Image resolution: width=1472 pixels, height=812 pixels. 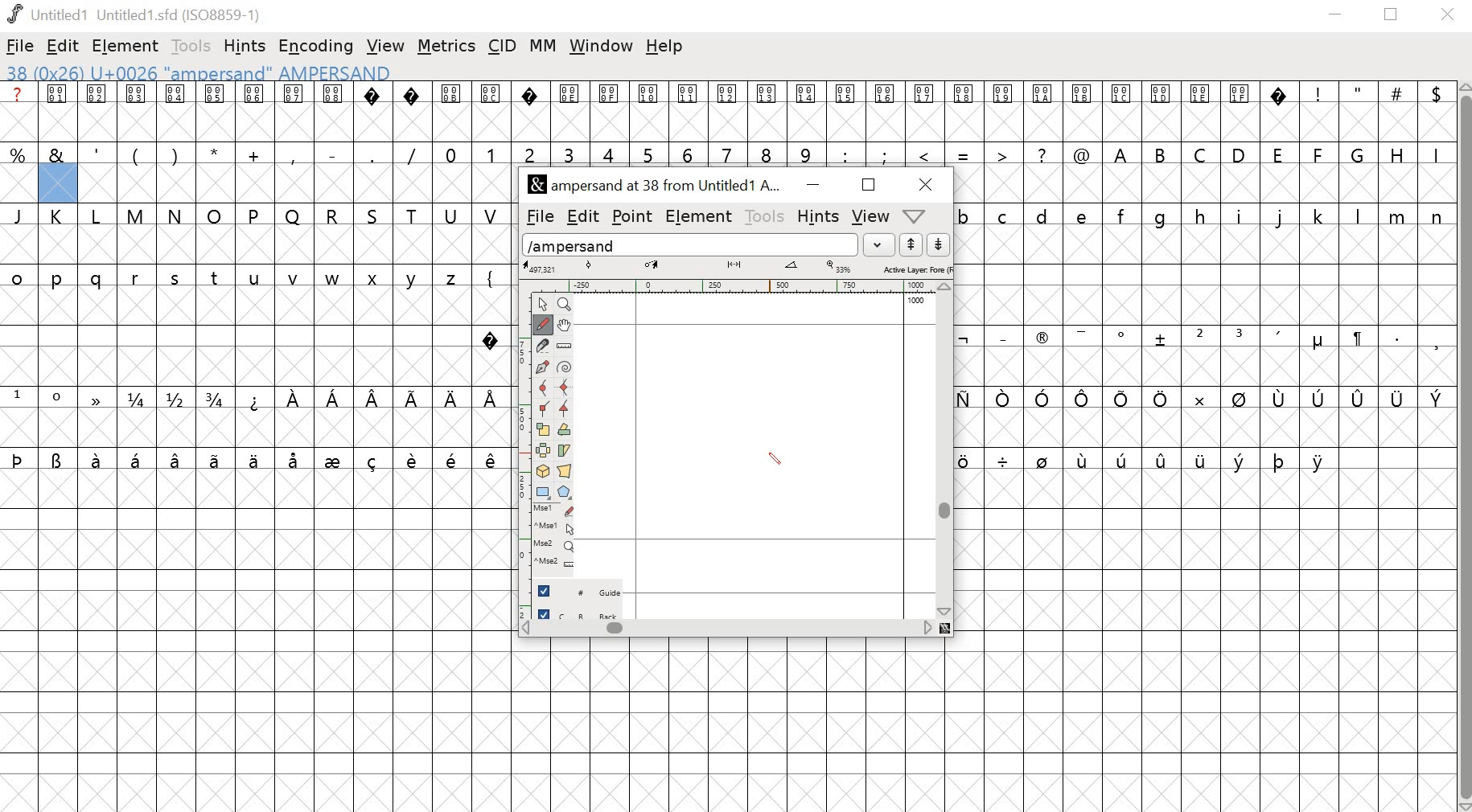 What do you see at coordinates (868, 186) in the screenshot?
I see `maximize` at bounding box center [868, 186].